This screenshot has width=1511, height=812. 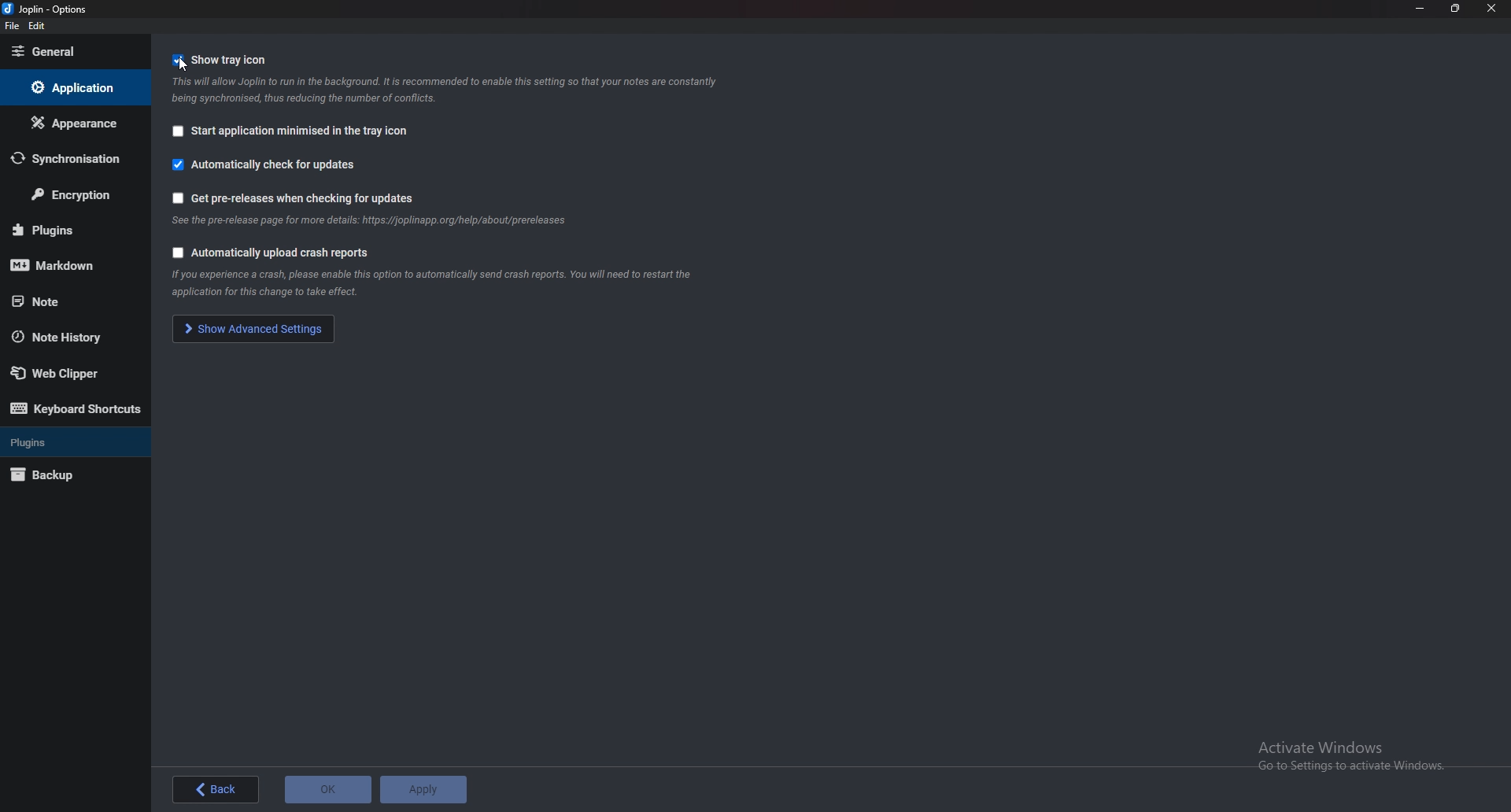 I want to click on general, so click(x=71, y=51).